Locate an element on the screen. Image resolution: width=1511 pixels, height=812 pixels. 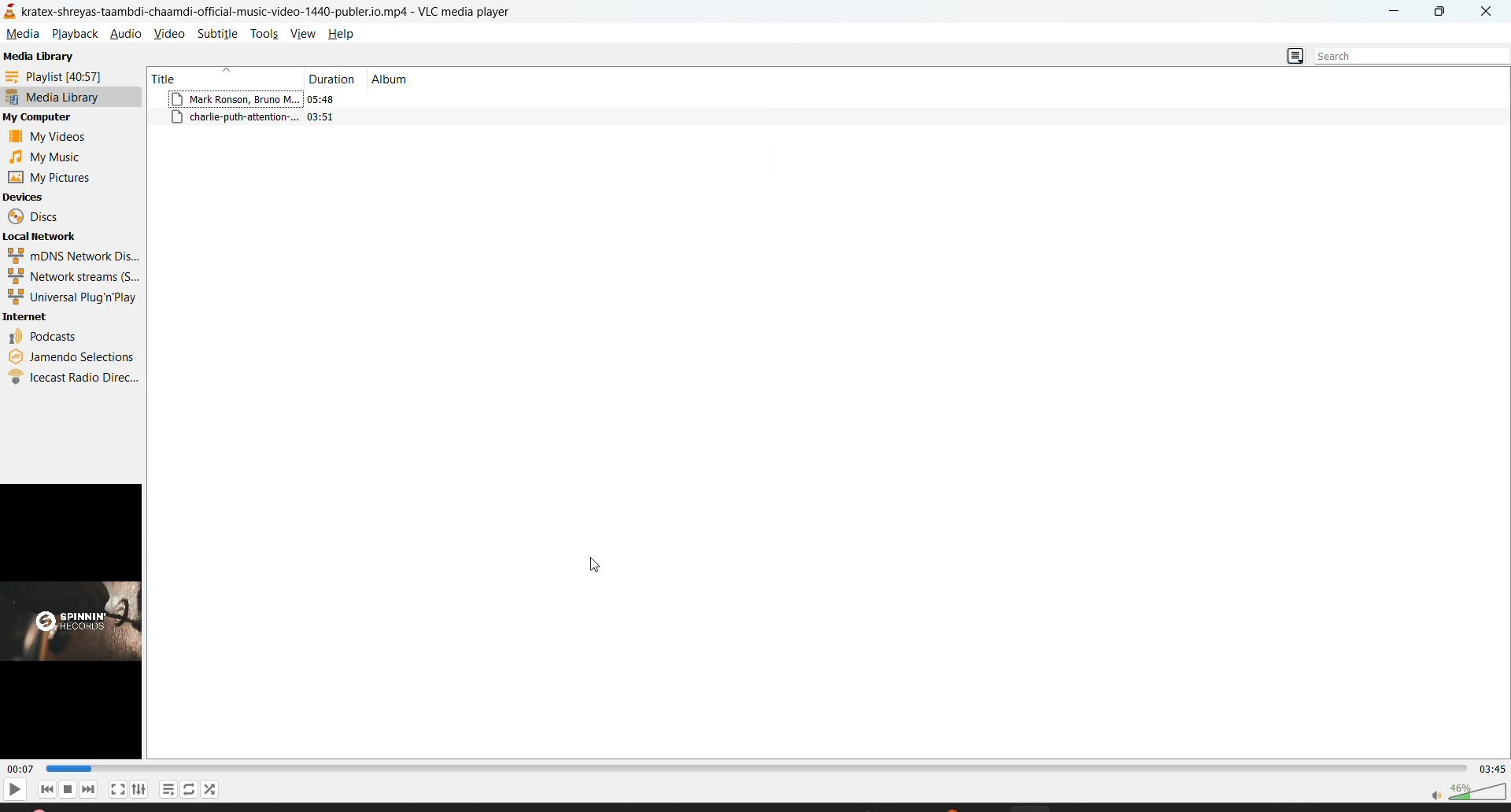
fullscreen is located at coordinates (118, 788).